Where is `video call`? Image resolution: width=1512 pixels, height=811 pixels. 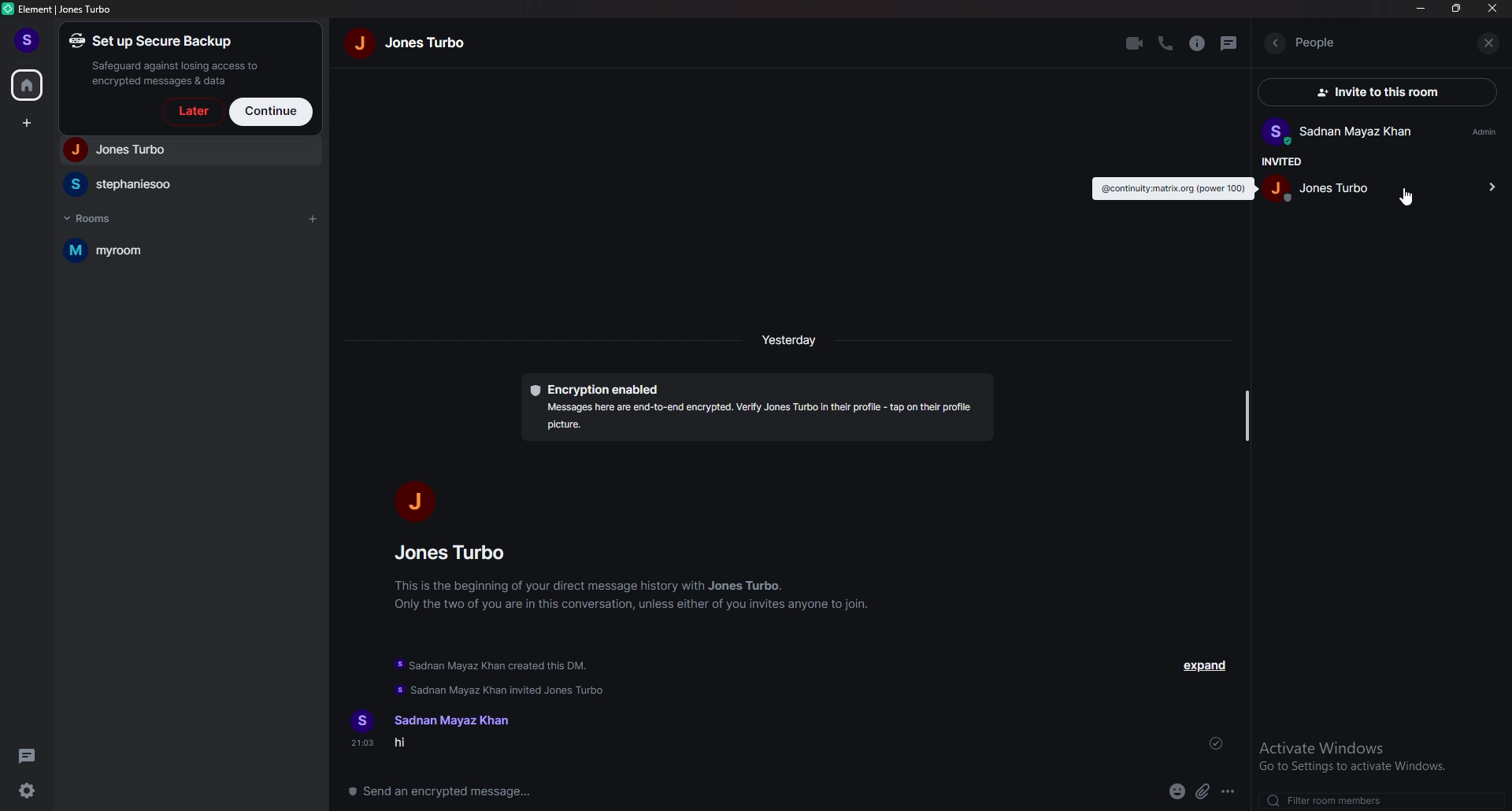
video call is located at coordinates (1133, 43).